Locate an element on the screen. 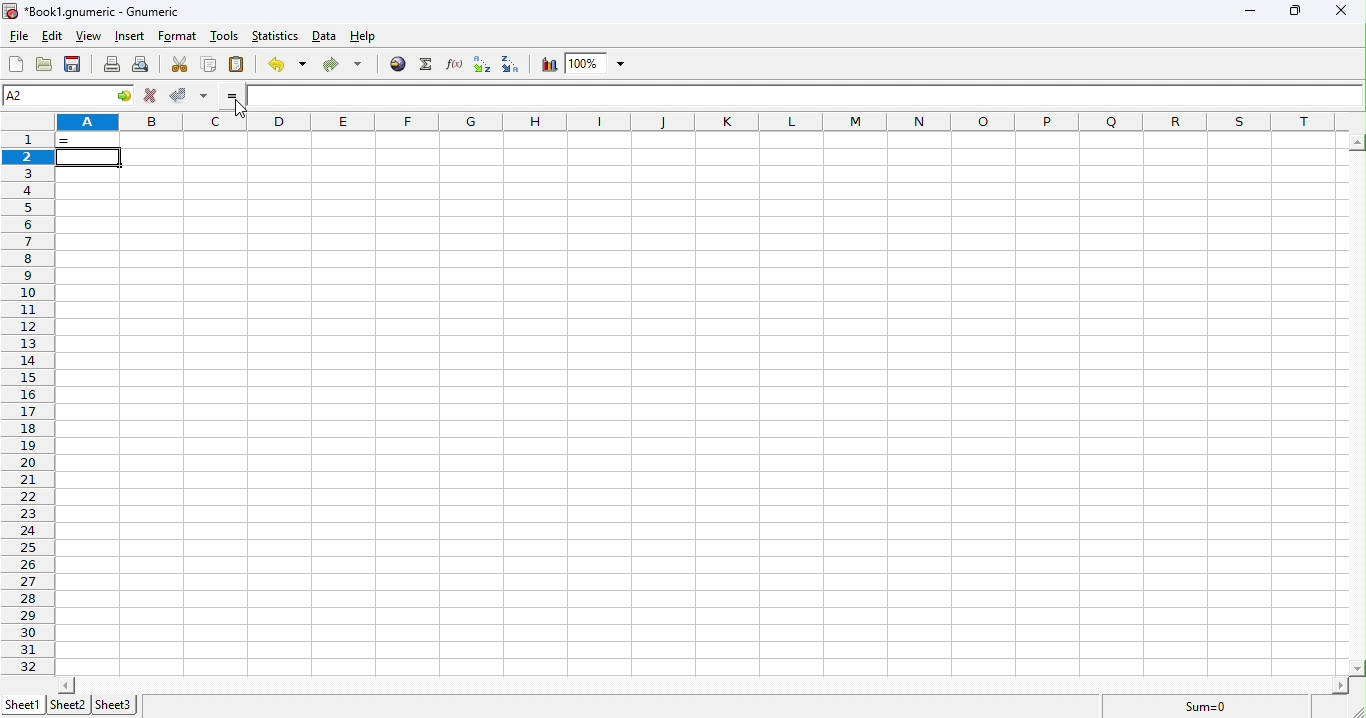 This screenshot has width=1366, height=718. zoom is located at coordinates (601, 63).